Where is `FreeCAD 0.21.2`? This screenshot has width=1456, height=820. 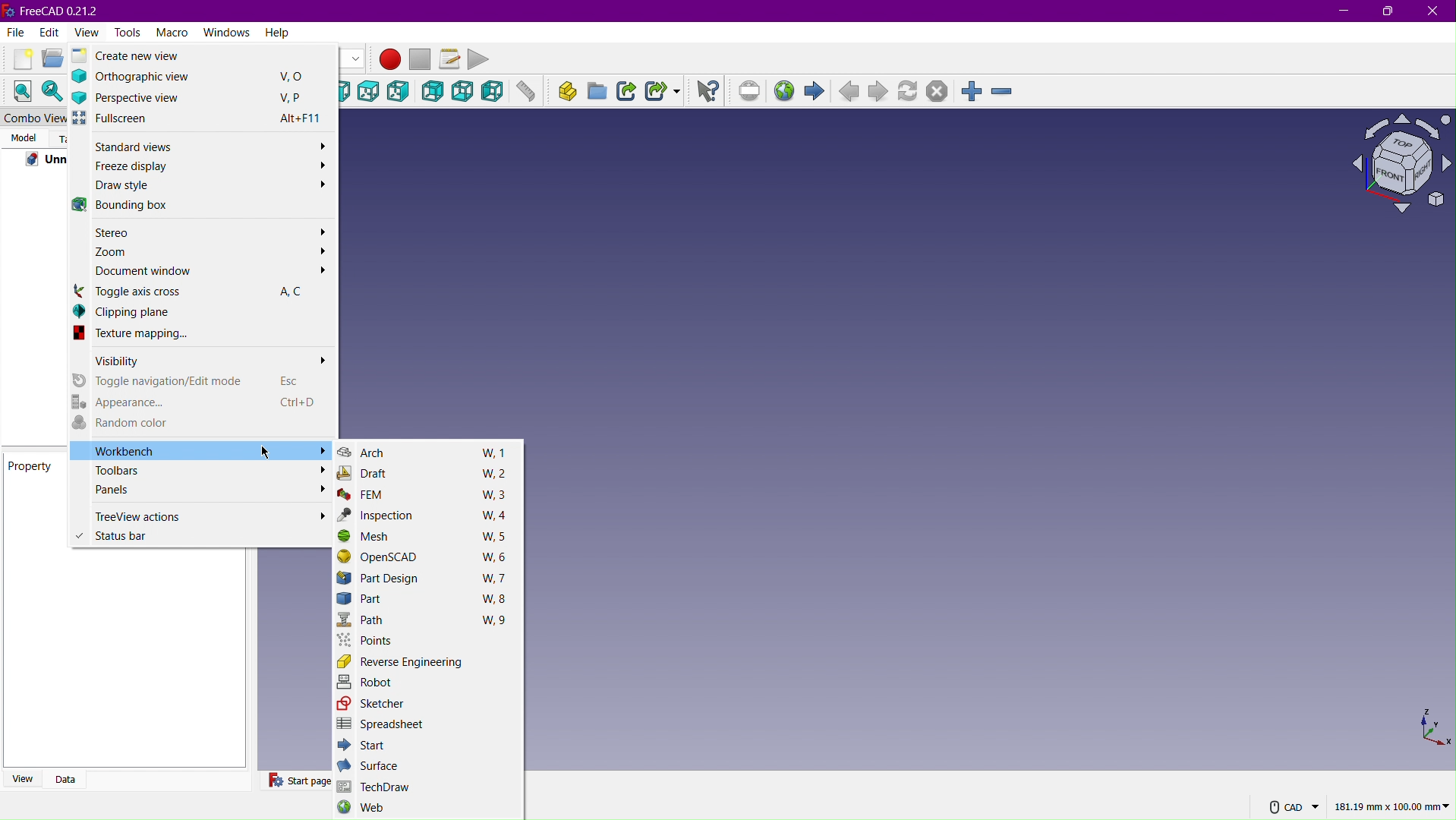 FreeCAD 0.21.2 is located at coordinates (55, 9).